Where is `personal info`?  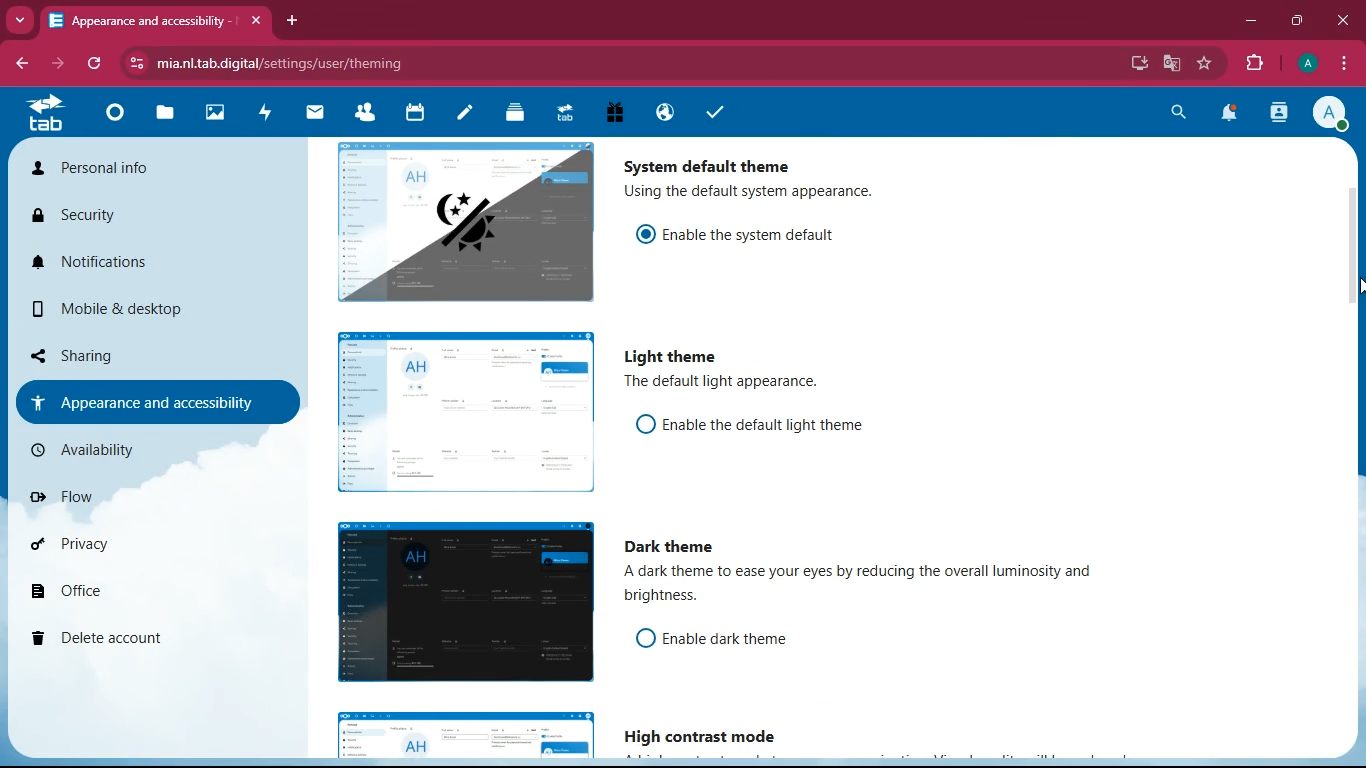 personal info is located at coordinates (124, 172).